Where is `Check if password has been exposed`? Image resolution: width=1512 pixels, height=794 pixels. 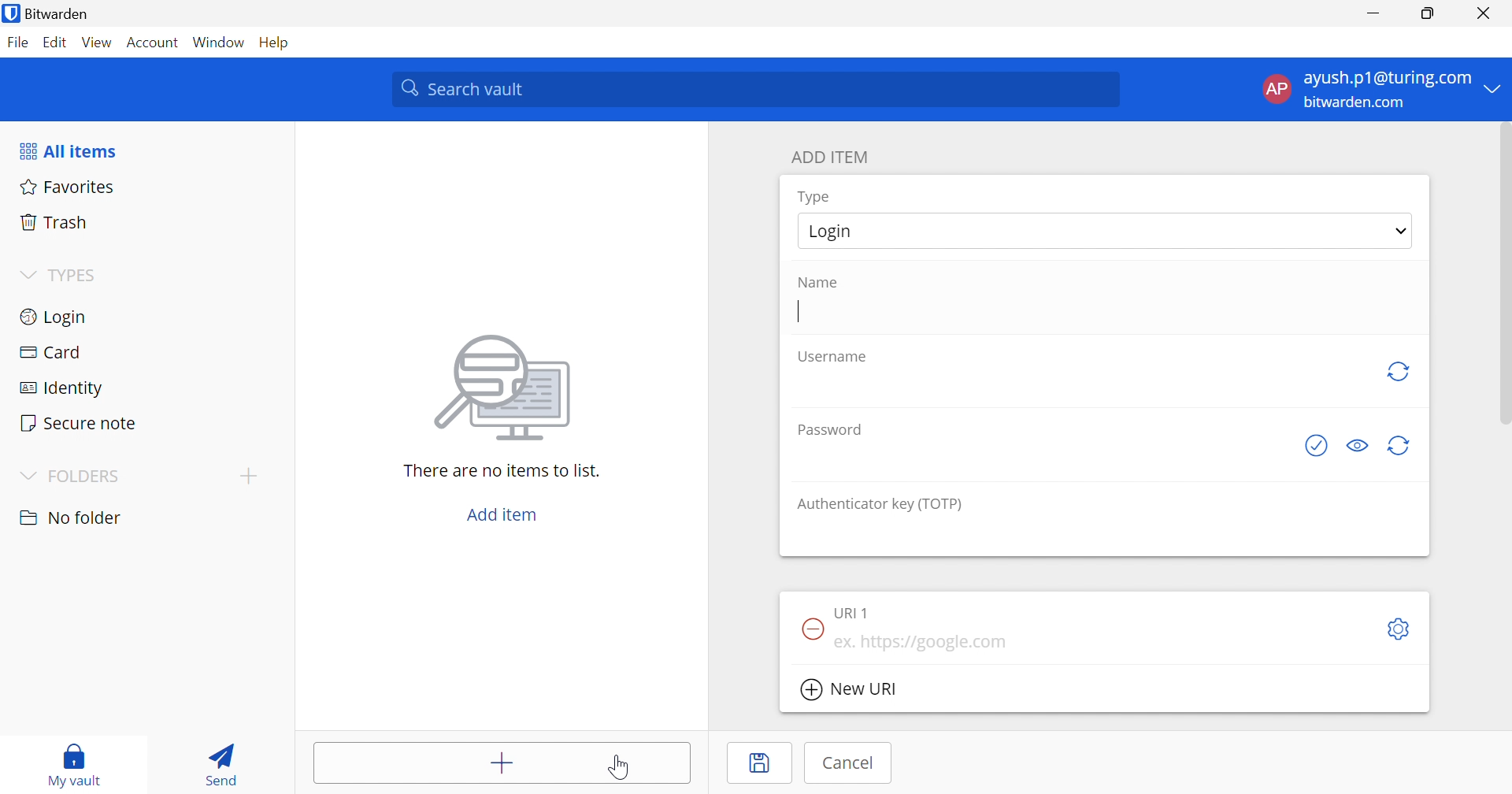 Check if password has been exposed is located at coordinates (1321, 445).